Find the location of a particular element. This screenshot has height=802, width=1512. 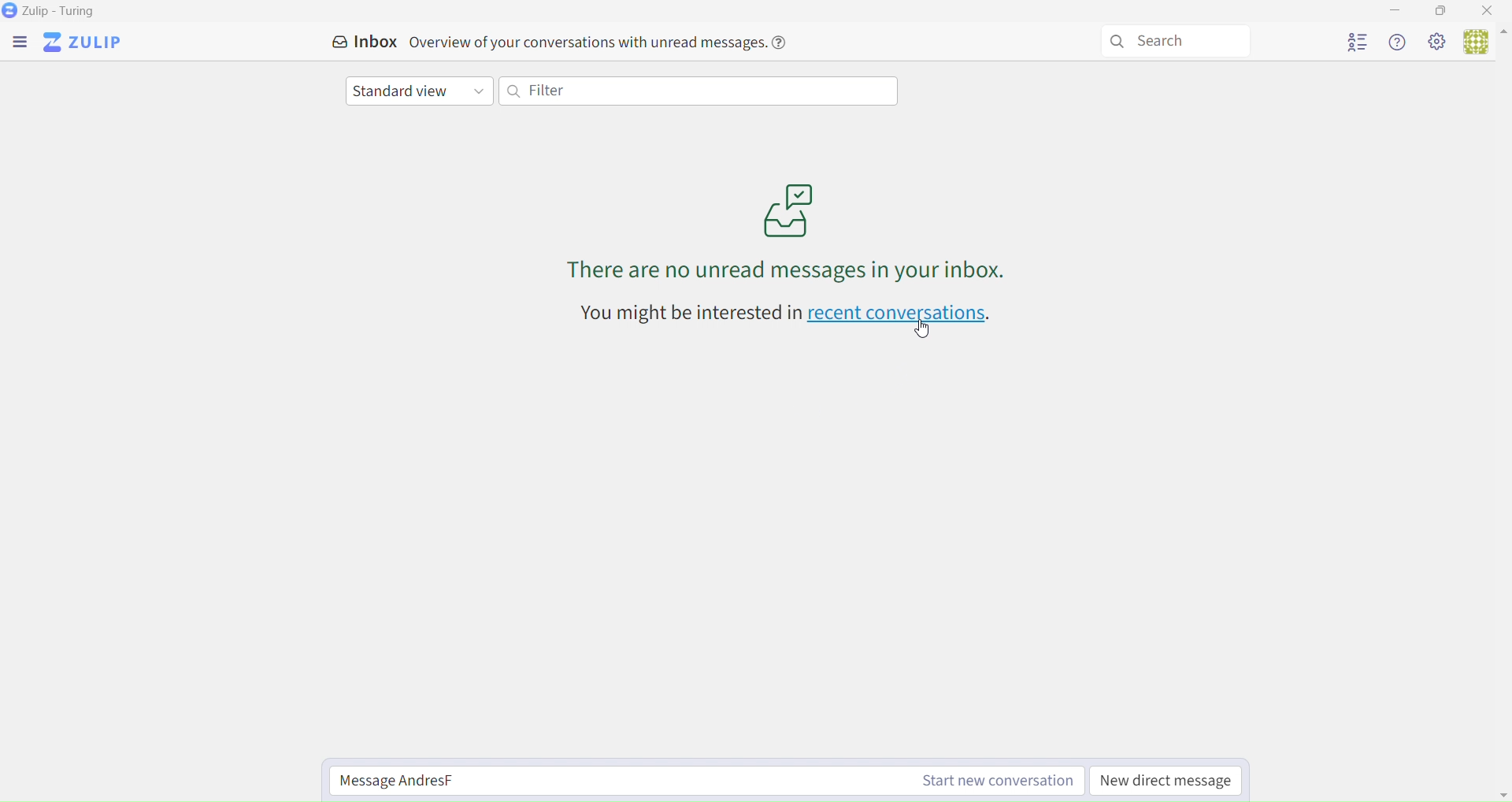

cursor is located at coordinates (932, 330).